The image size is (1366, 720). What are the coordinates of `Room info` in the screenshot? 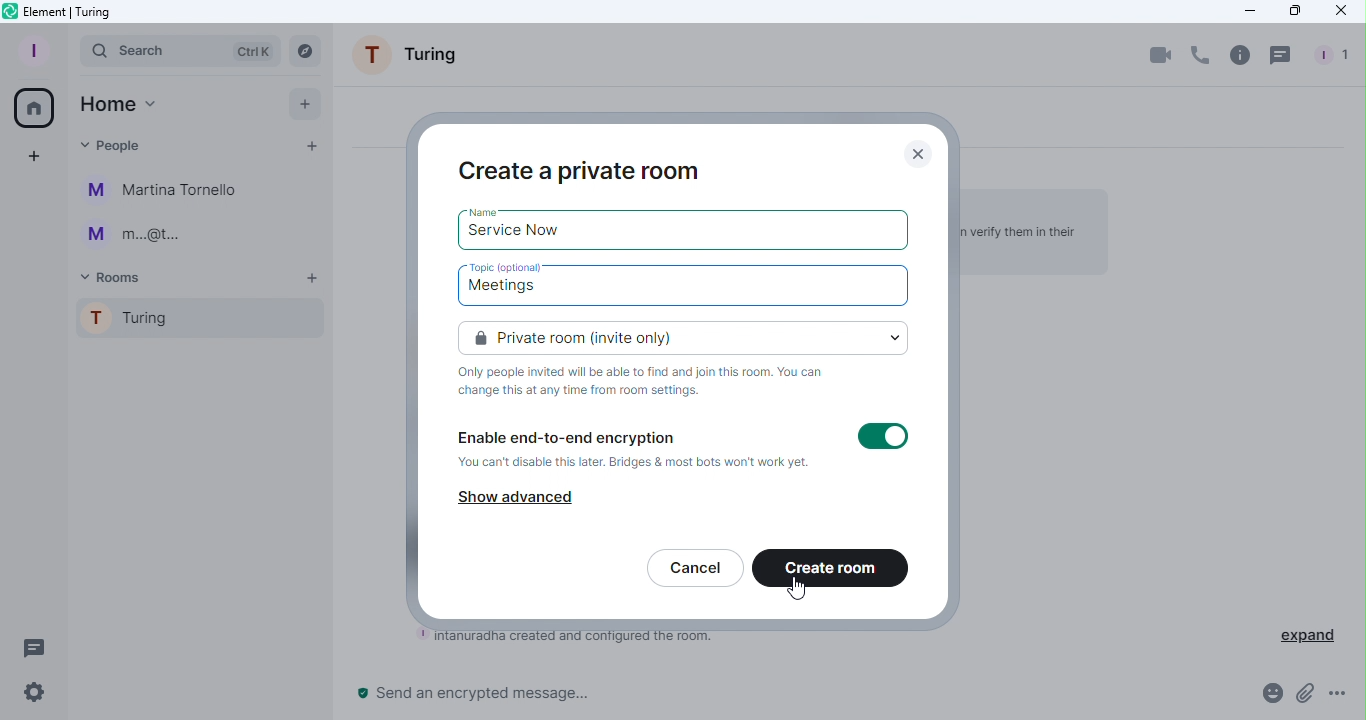 It's located at (1239, 54).